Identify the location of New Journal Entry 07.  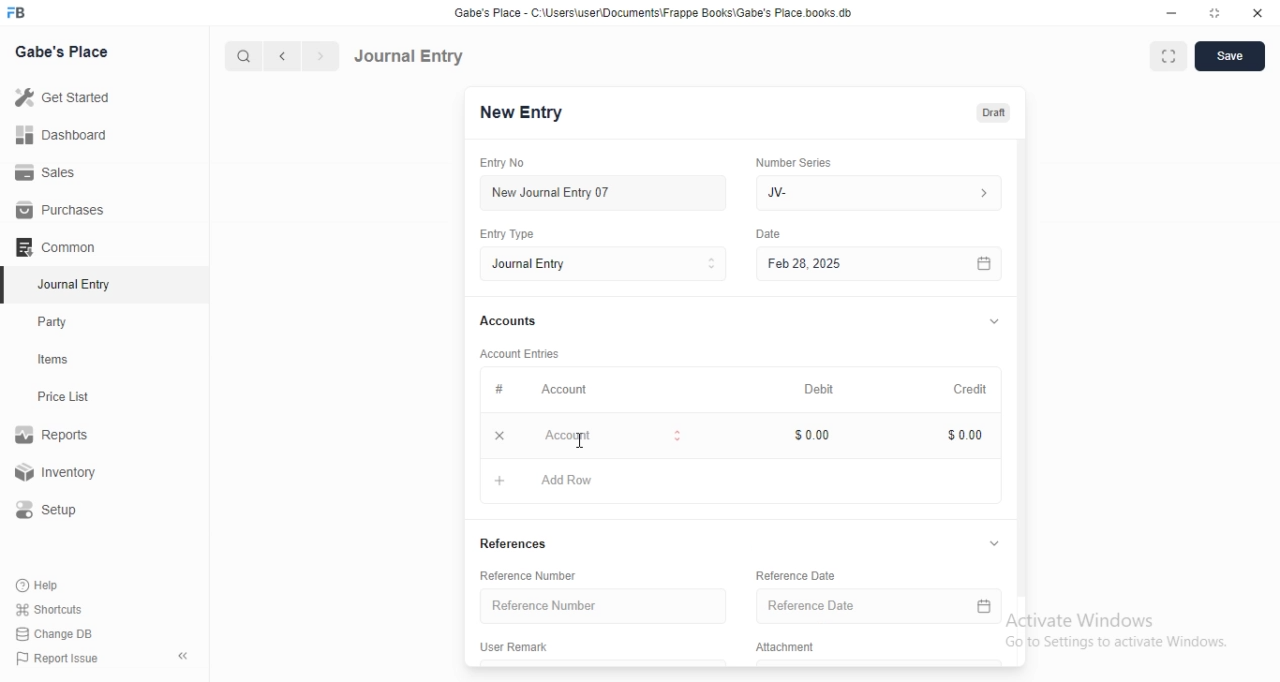
(550, 193).